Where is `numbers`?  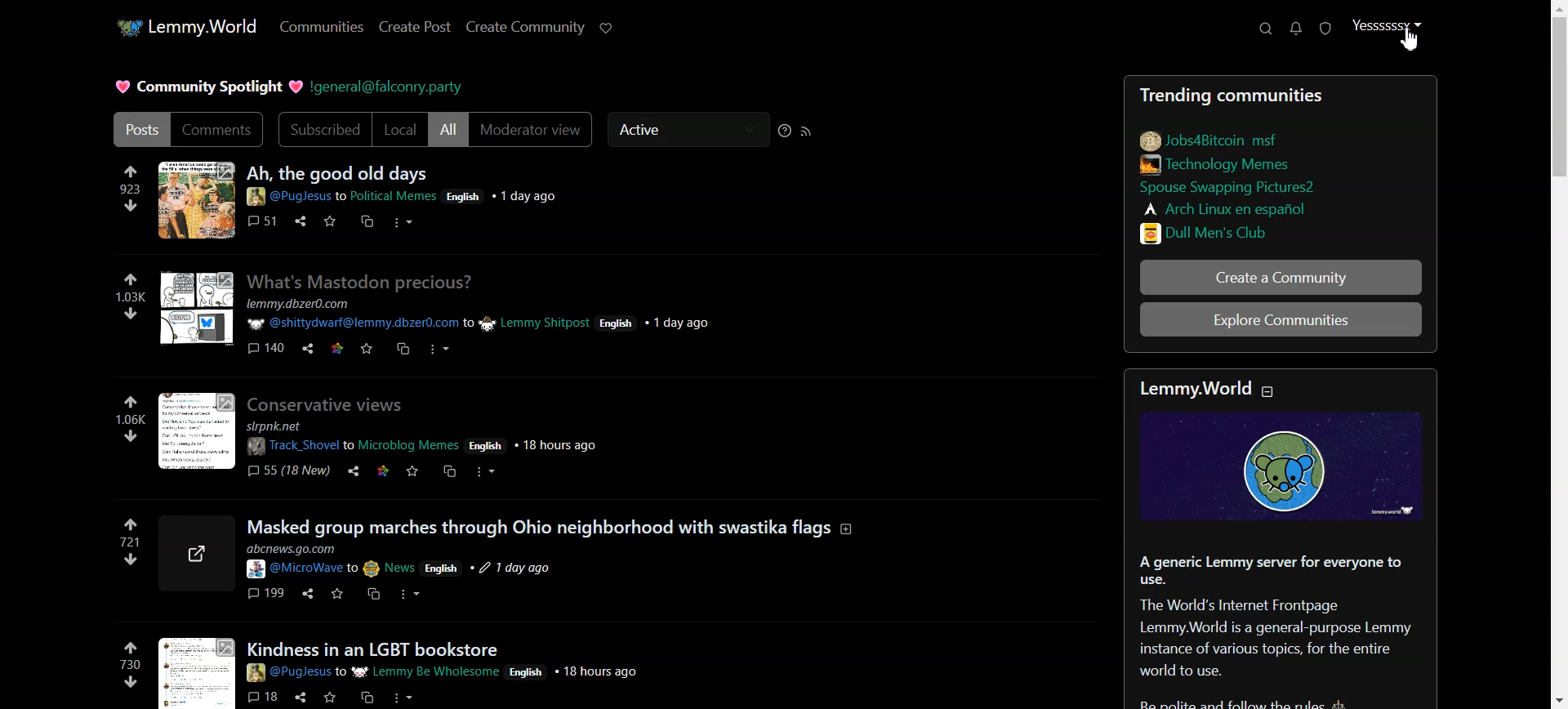 numbers is located at coordinates (128, 296).